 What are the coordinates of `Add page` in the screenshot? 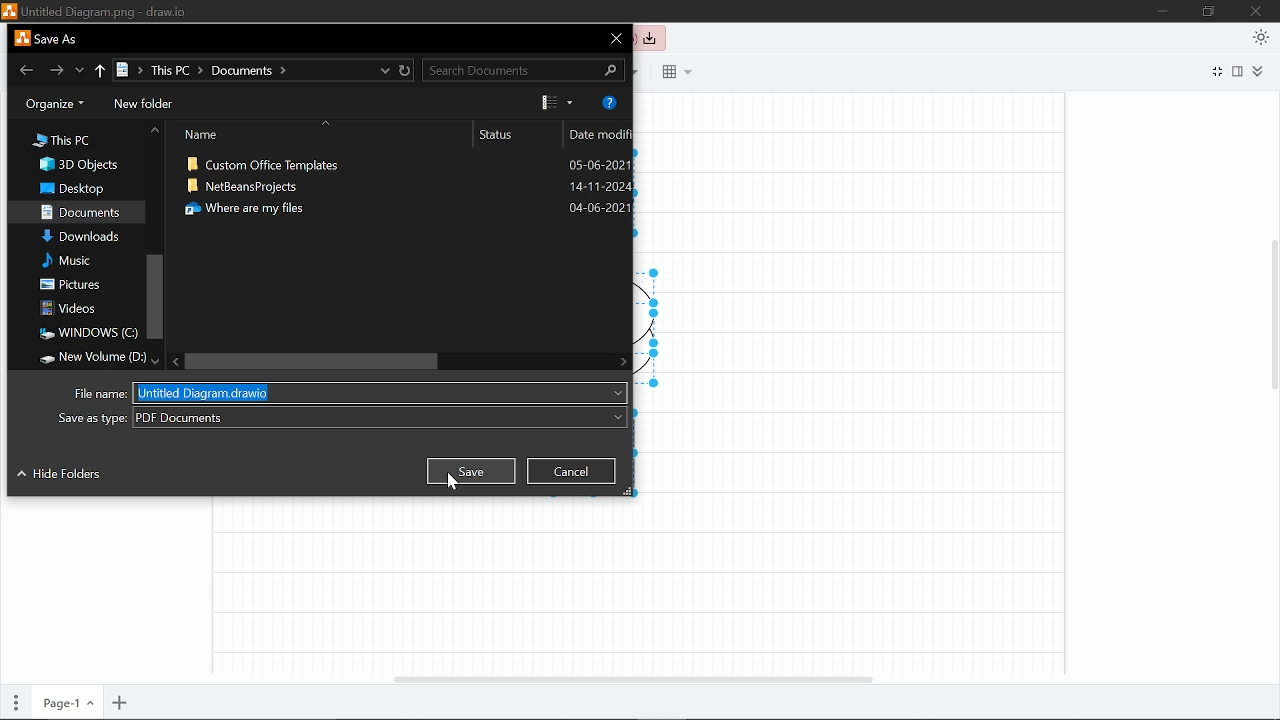 It's located at (120, 703).